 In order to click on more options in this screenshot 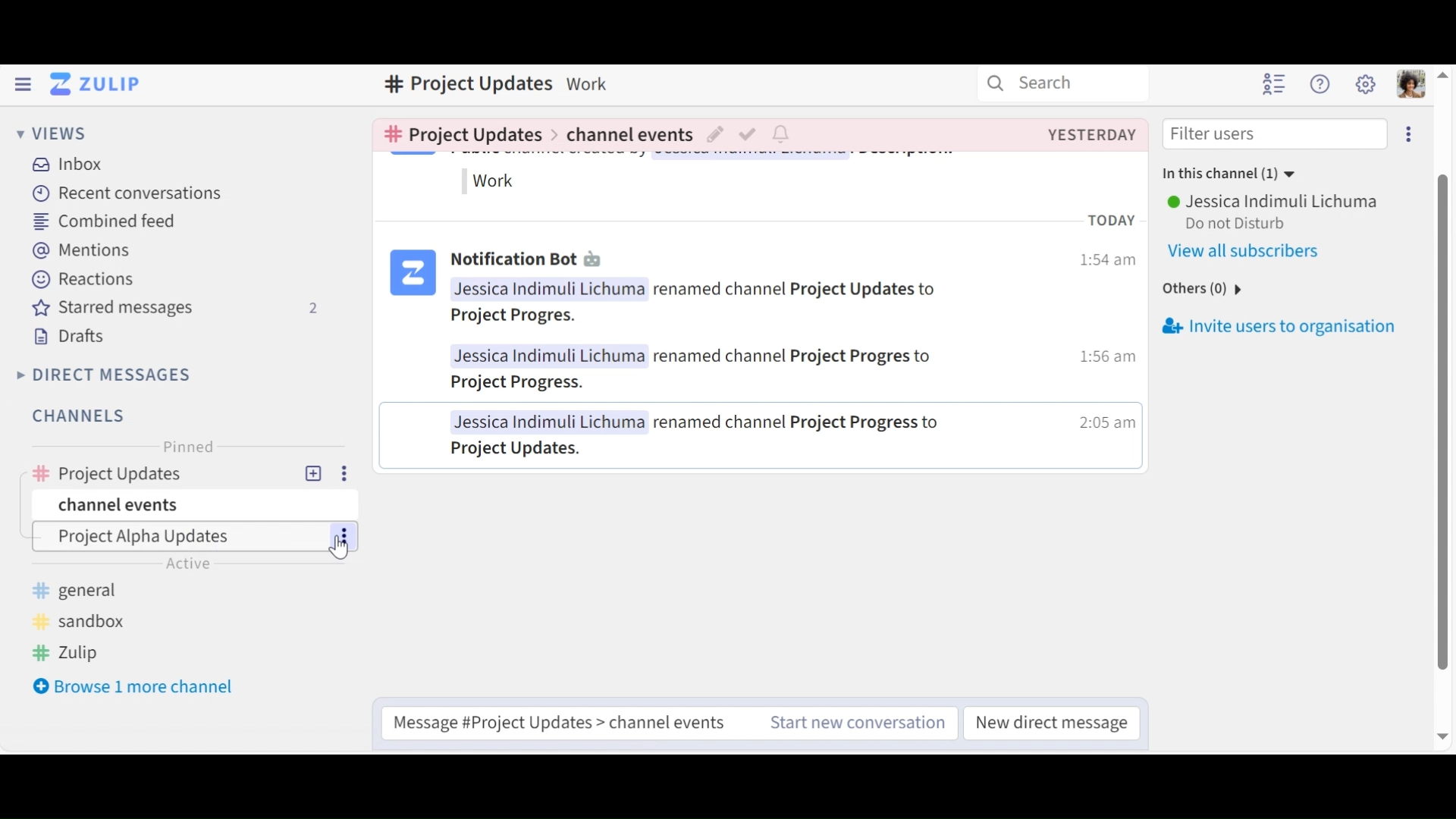, I will do `click(347, 537)`.